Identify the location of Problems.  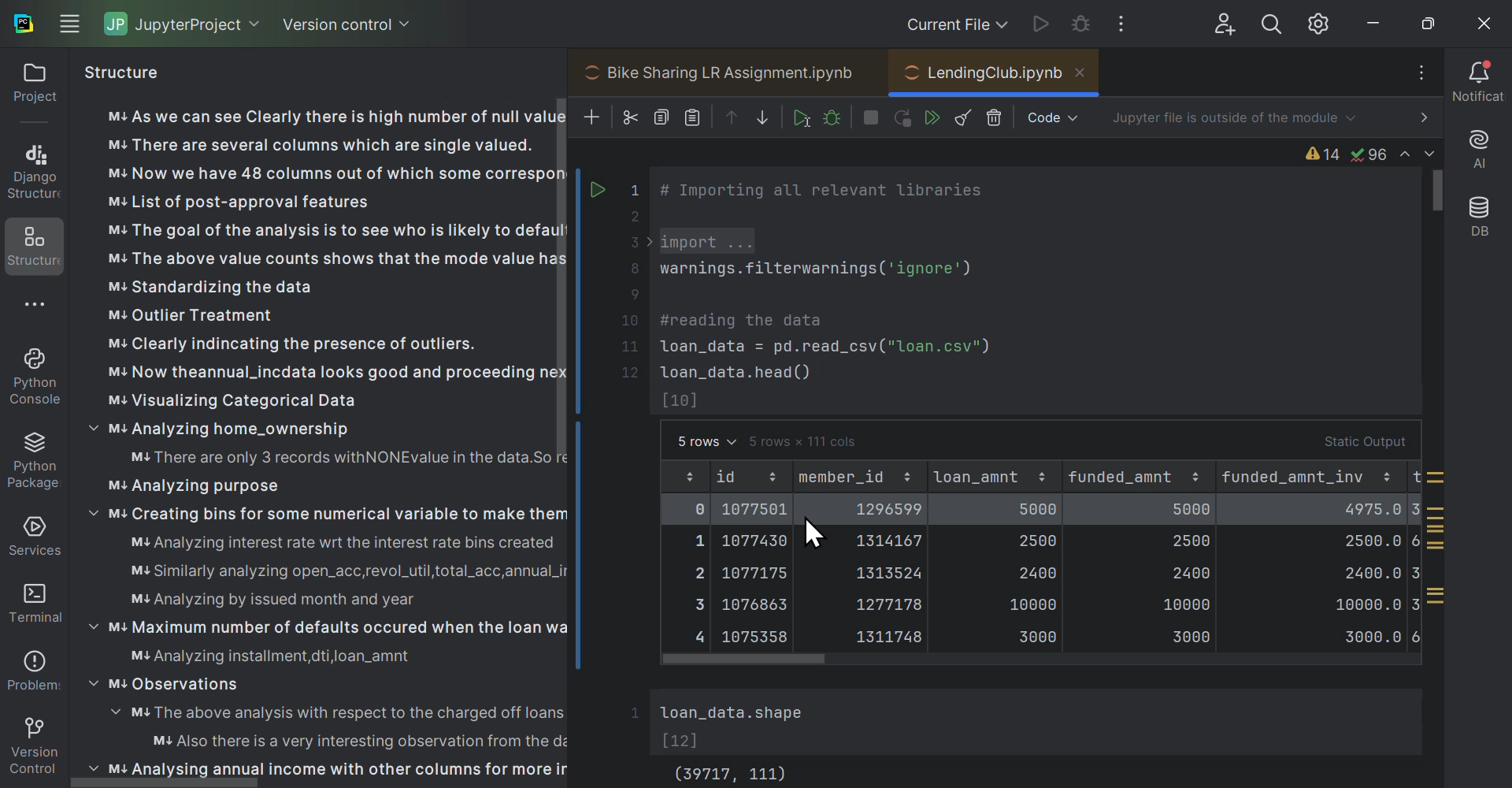
(33, 667).